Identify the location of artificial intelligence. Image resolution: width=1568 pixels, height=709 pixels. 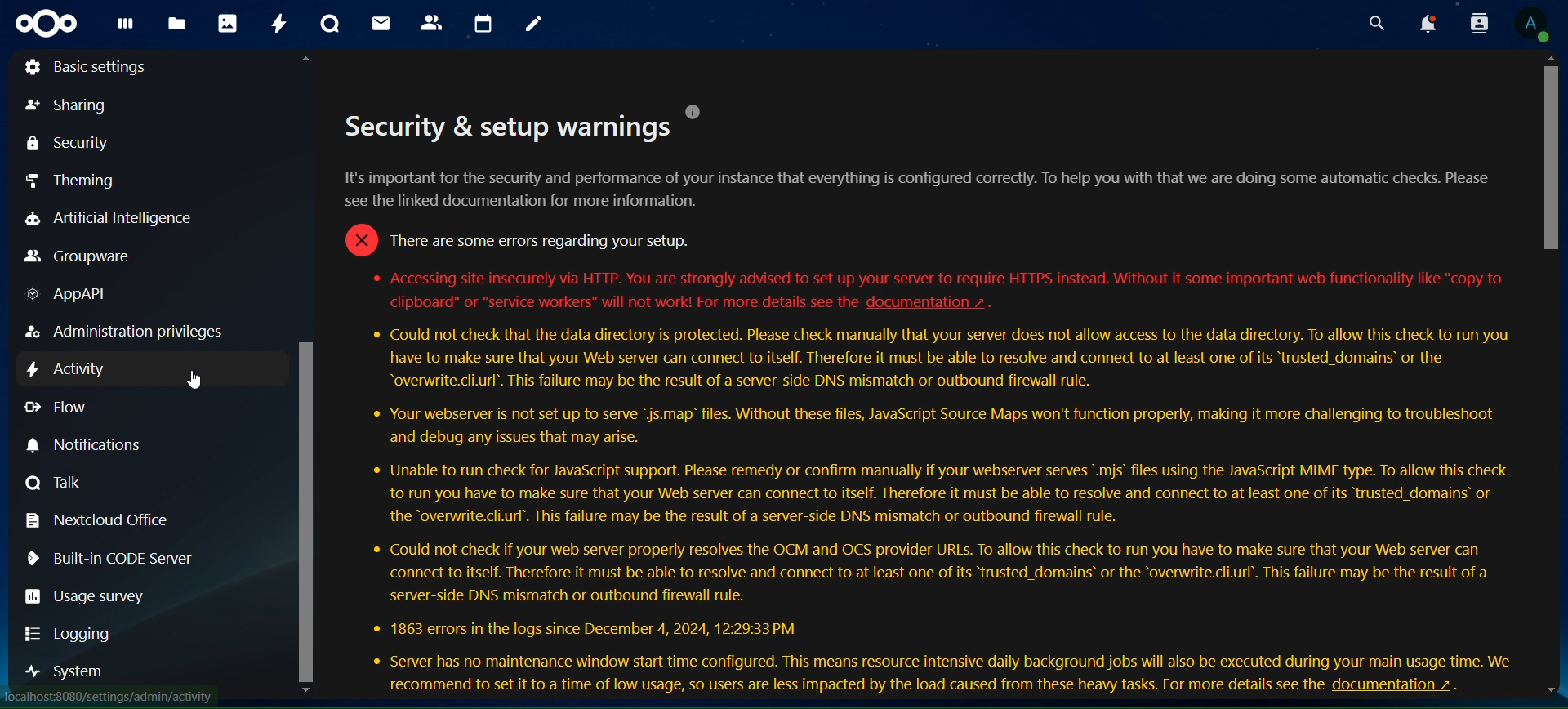
(107, 219).